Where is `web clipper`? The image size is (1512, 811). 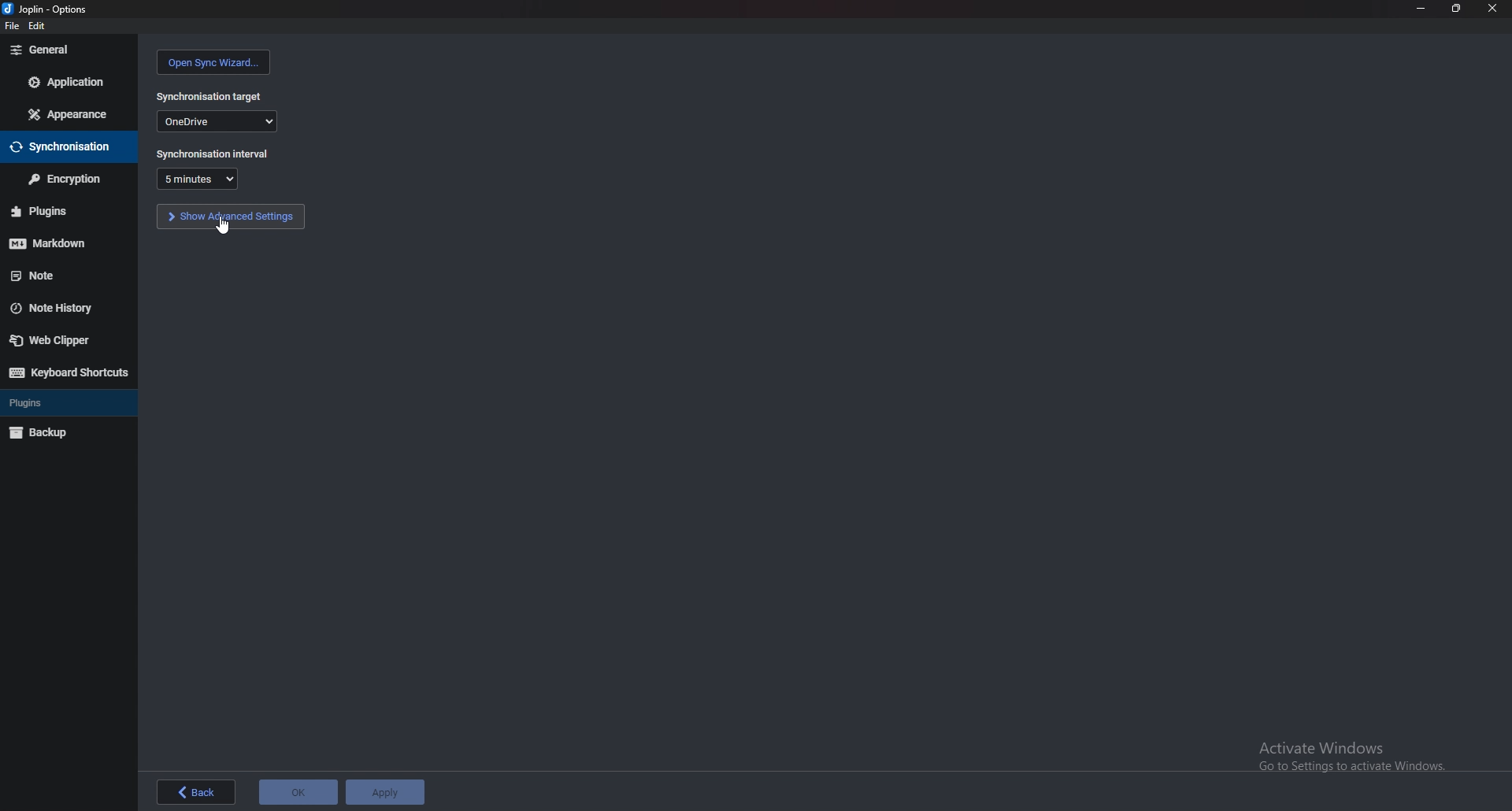
web clipper is located at coordinates (62, 342).